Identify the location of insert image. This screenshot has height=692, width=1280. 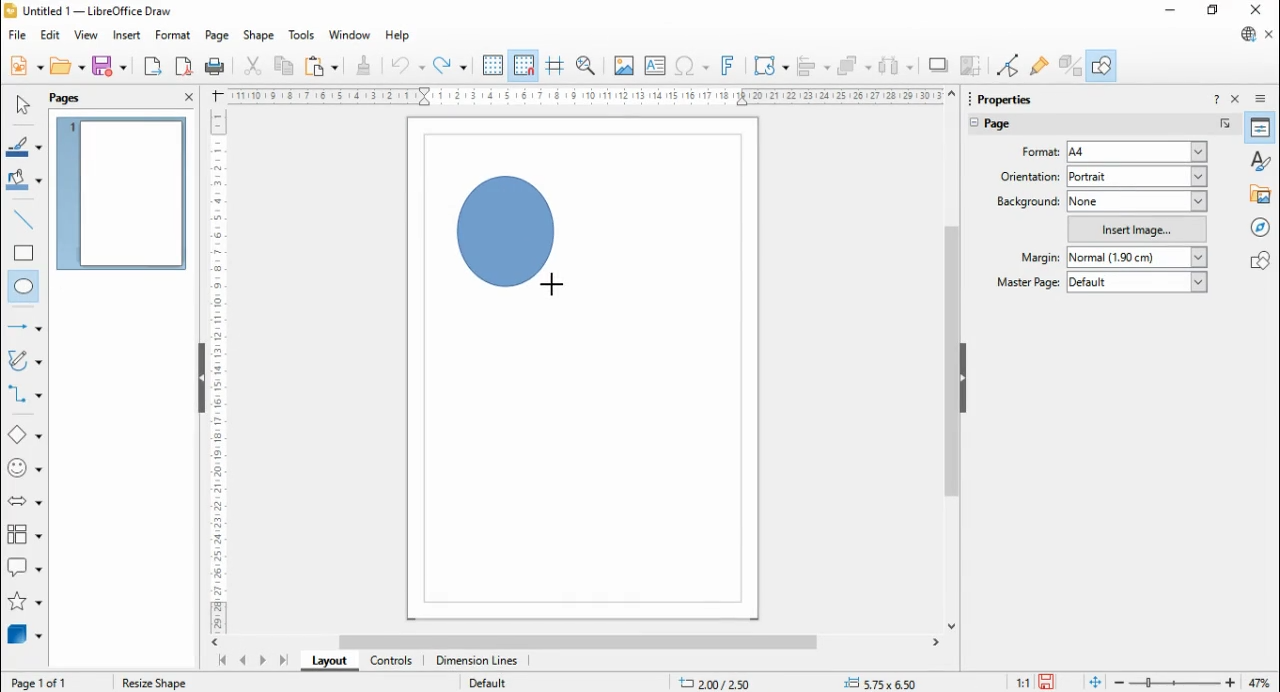
(623, 65).